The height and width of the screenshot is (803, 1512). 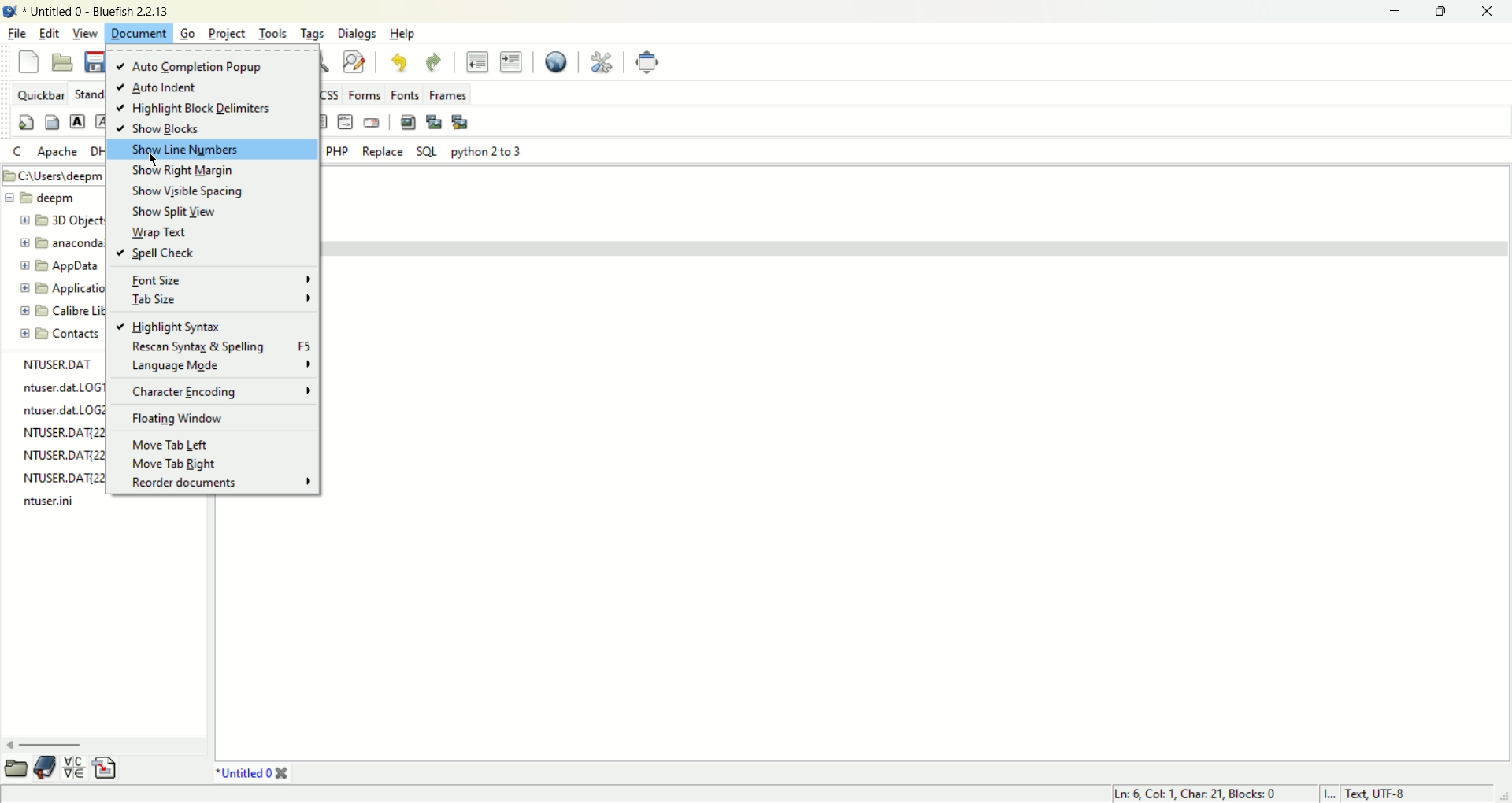 What do you see at coordinates (217, 483) in the screenshot?
I see `reorder documents` at bounding box center [217, 483].